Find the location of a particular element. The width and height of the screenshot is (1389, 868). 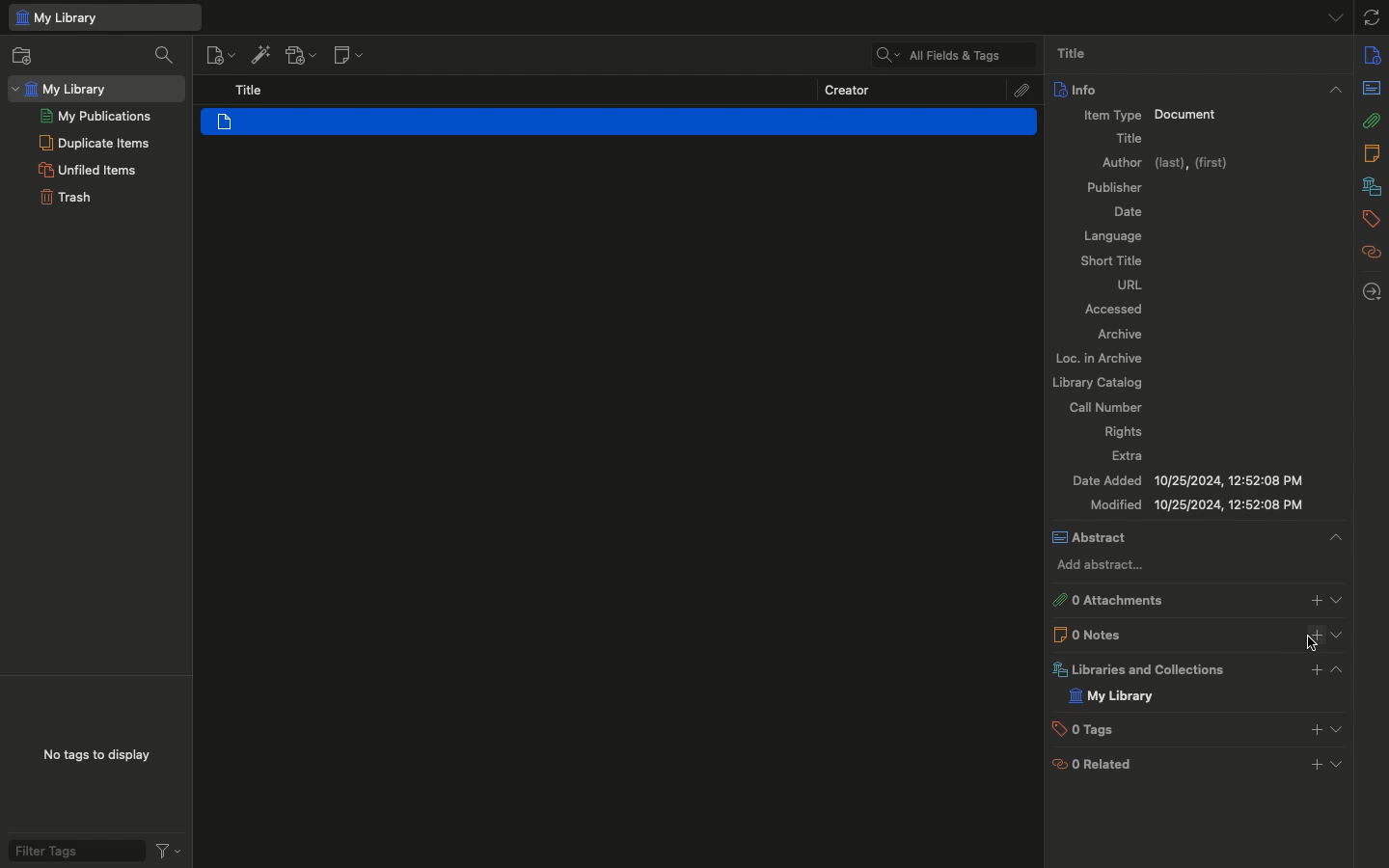

Item type is located at coordinates (1114, 114).